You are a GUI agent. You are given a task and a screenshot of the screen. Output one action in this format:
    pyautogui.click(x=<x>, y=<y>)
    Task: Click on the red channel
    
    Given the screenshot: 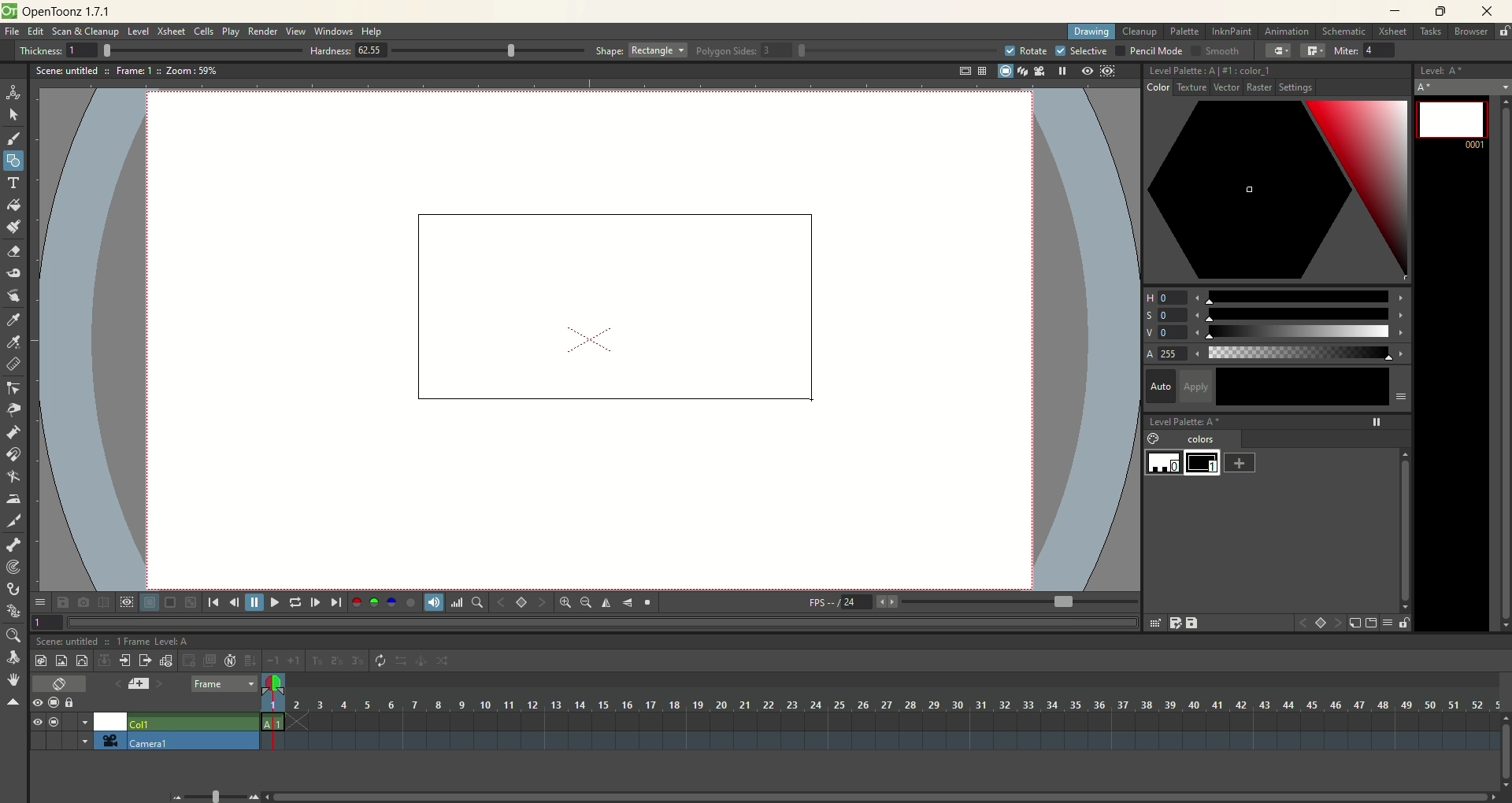 What is the action you would take?
    pyautogui.click(x=357, y=601)
    